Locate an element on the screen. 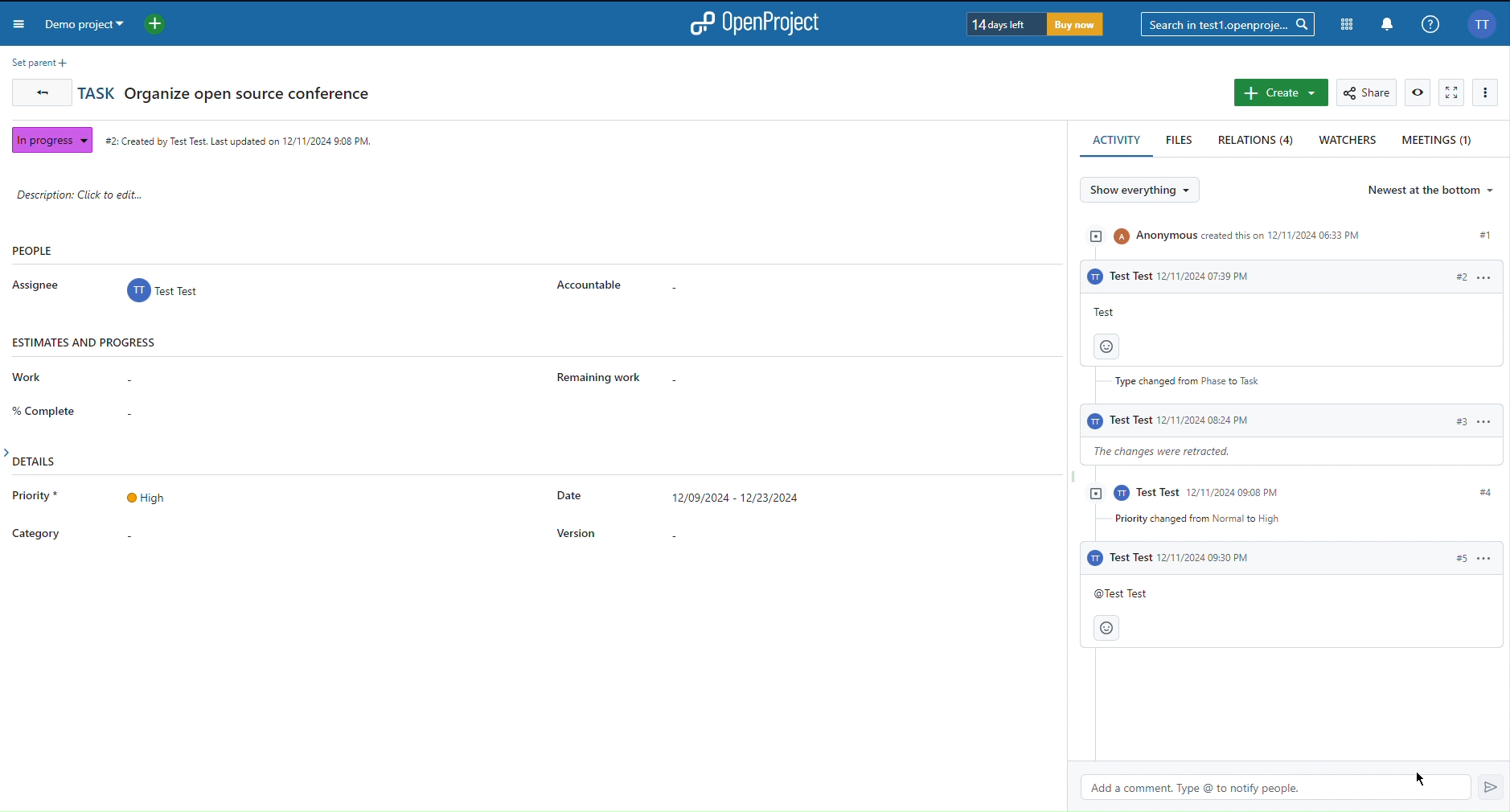 The image size is (1510, 812). Show everything is located at coordinates (1147, 191).